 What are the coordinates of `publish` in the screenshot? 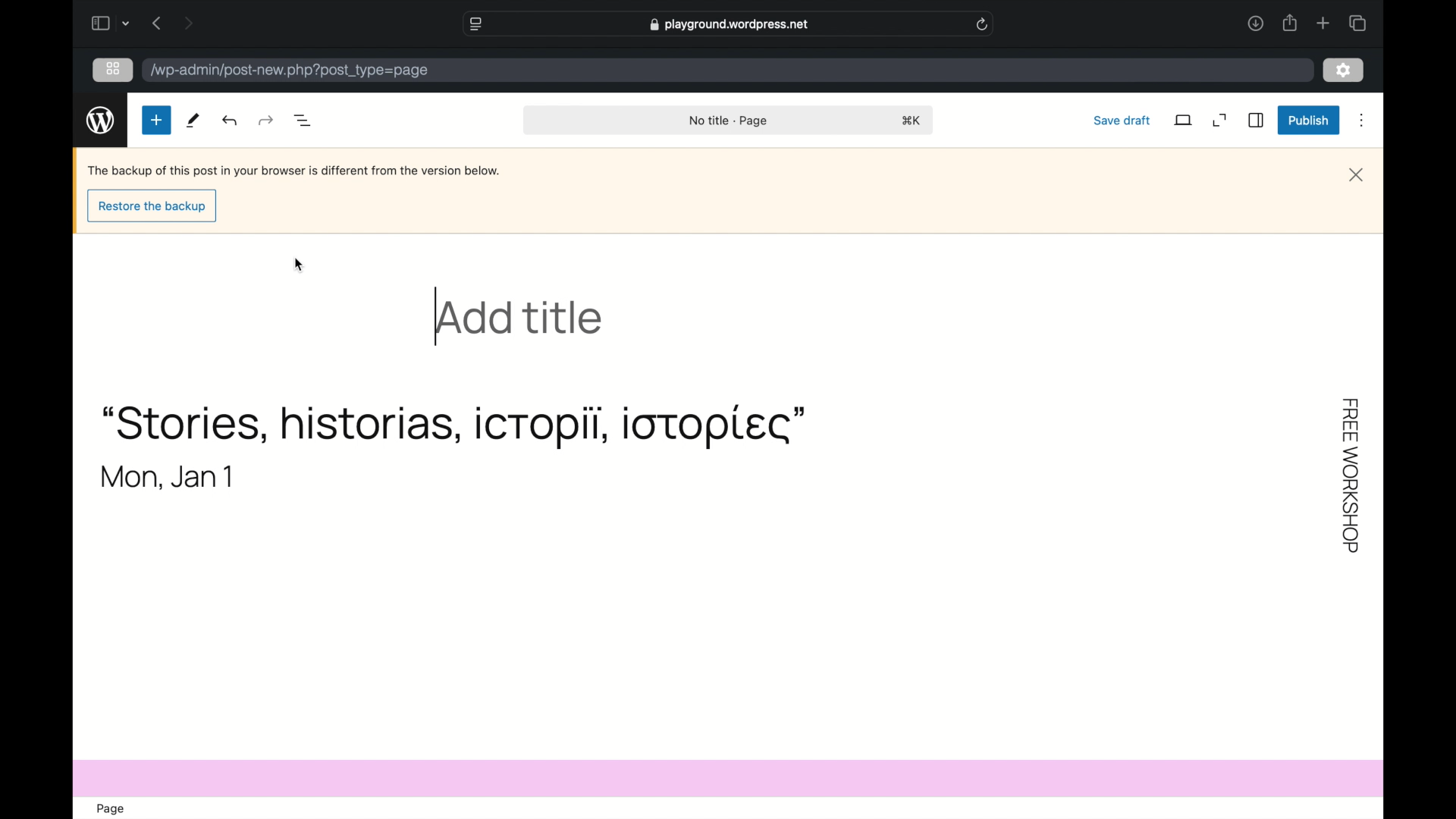 It's located at (1307, 120).